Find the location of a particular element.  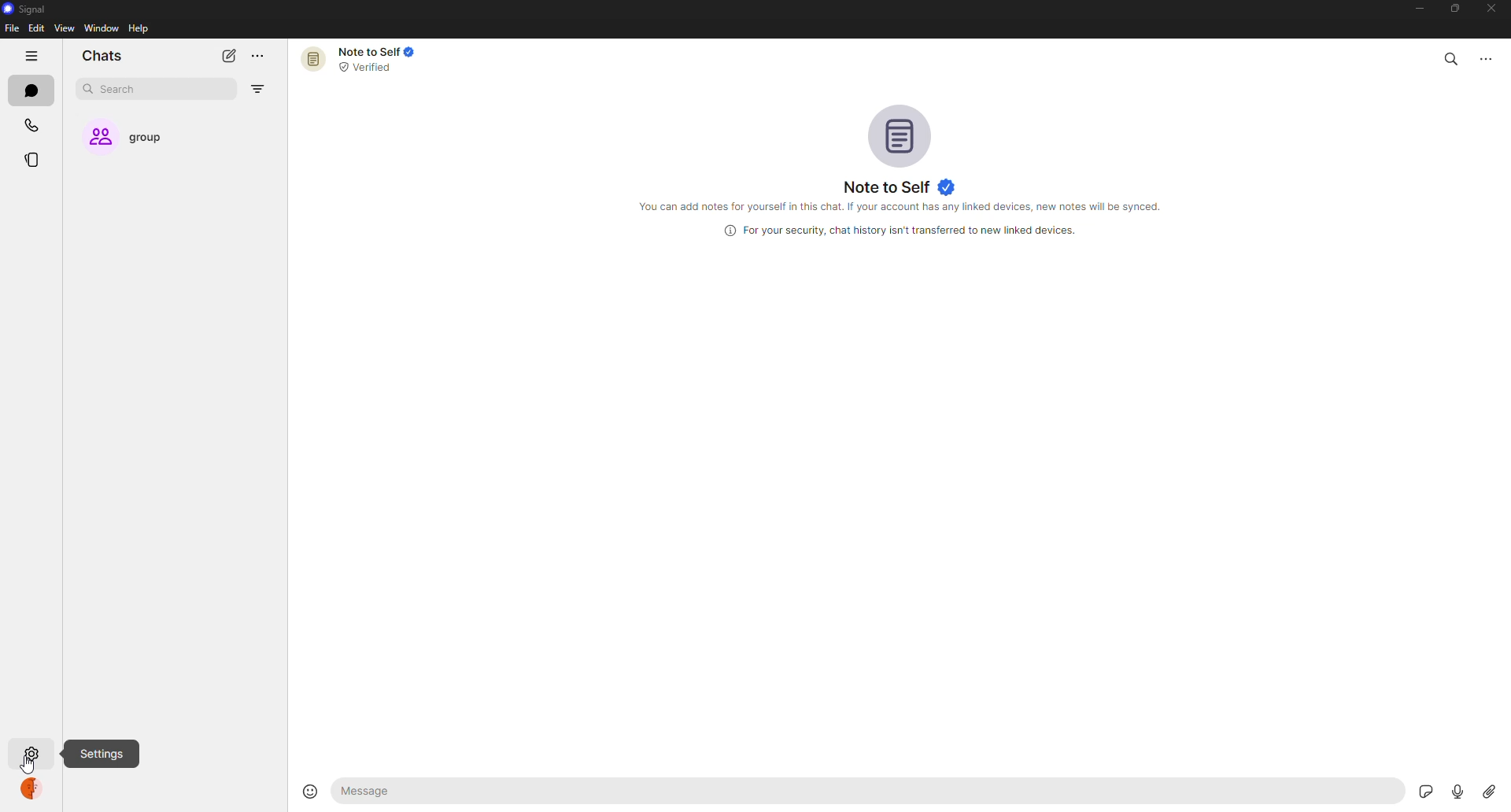

profile is located at coordinates (35, 792).